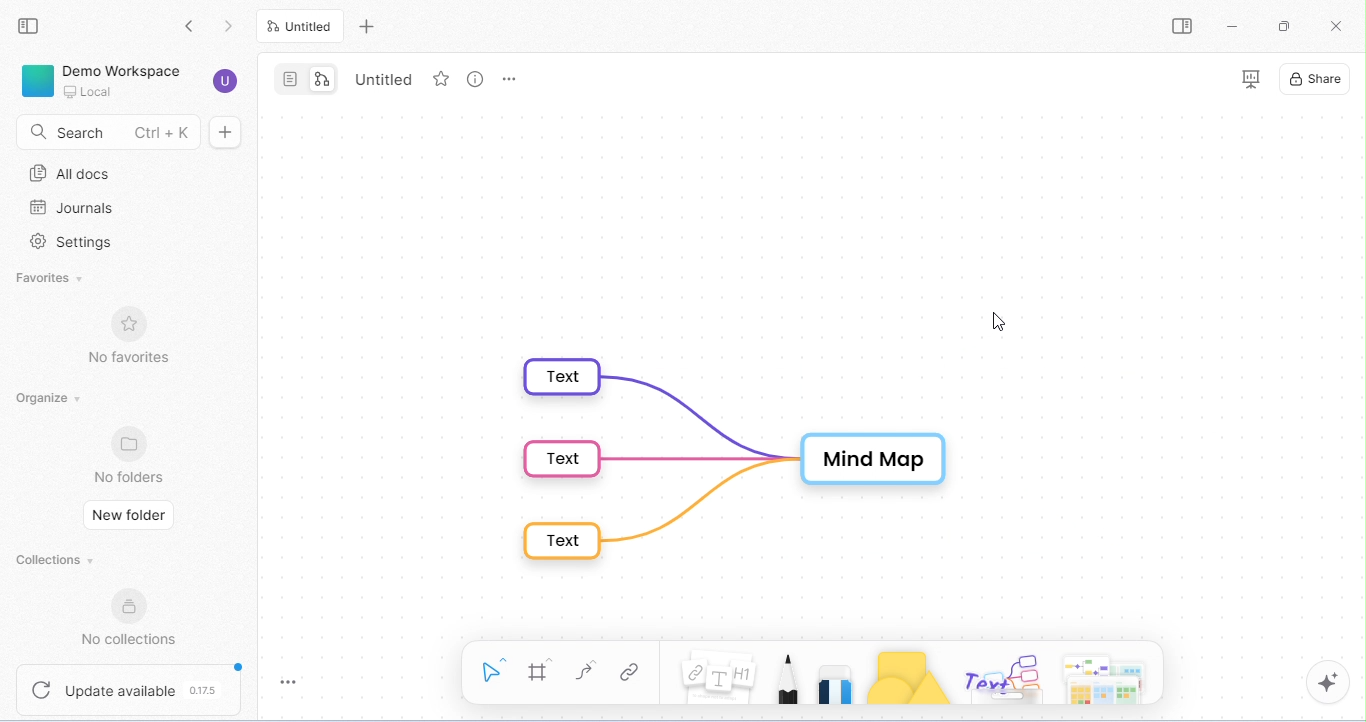 This screenshot has height=722, width=1366. What do you see at coordinates (385, 78) in the screenshot?
I see `tab name` at bounding box center [385, 78].